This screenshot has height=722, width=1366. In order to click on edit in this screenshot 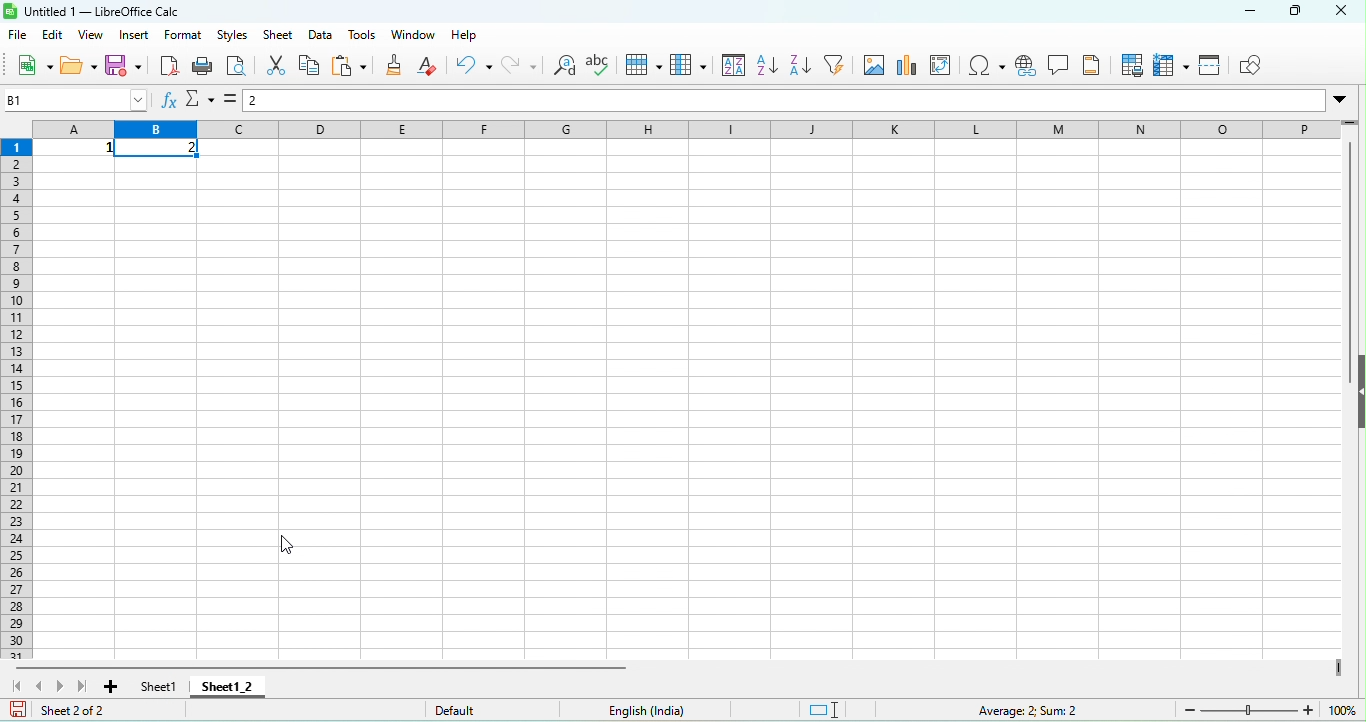, I will do `click(54, 36)`.